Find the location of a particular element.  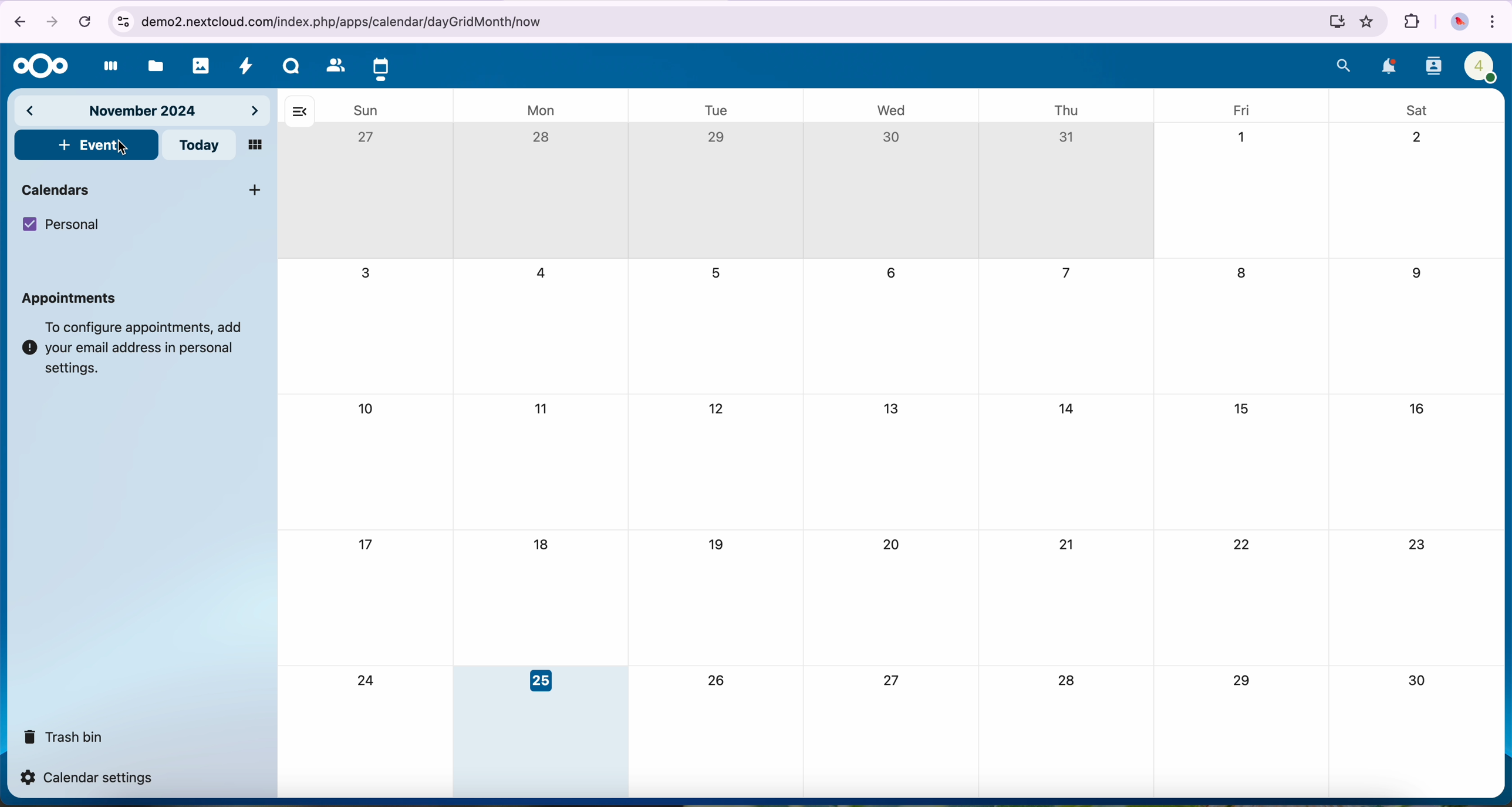

wed is located at coordinates (890, 109).